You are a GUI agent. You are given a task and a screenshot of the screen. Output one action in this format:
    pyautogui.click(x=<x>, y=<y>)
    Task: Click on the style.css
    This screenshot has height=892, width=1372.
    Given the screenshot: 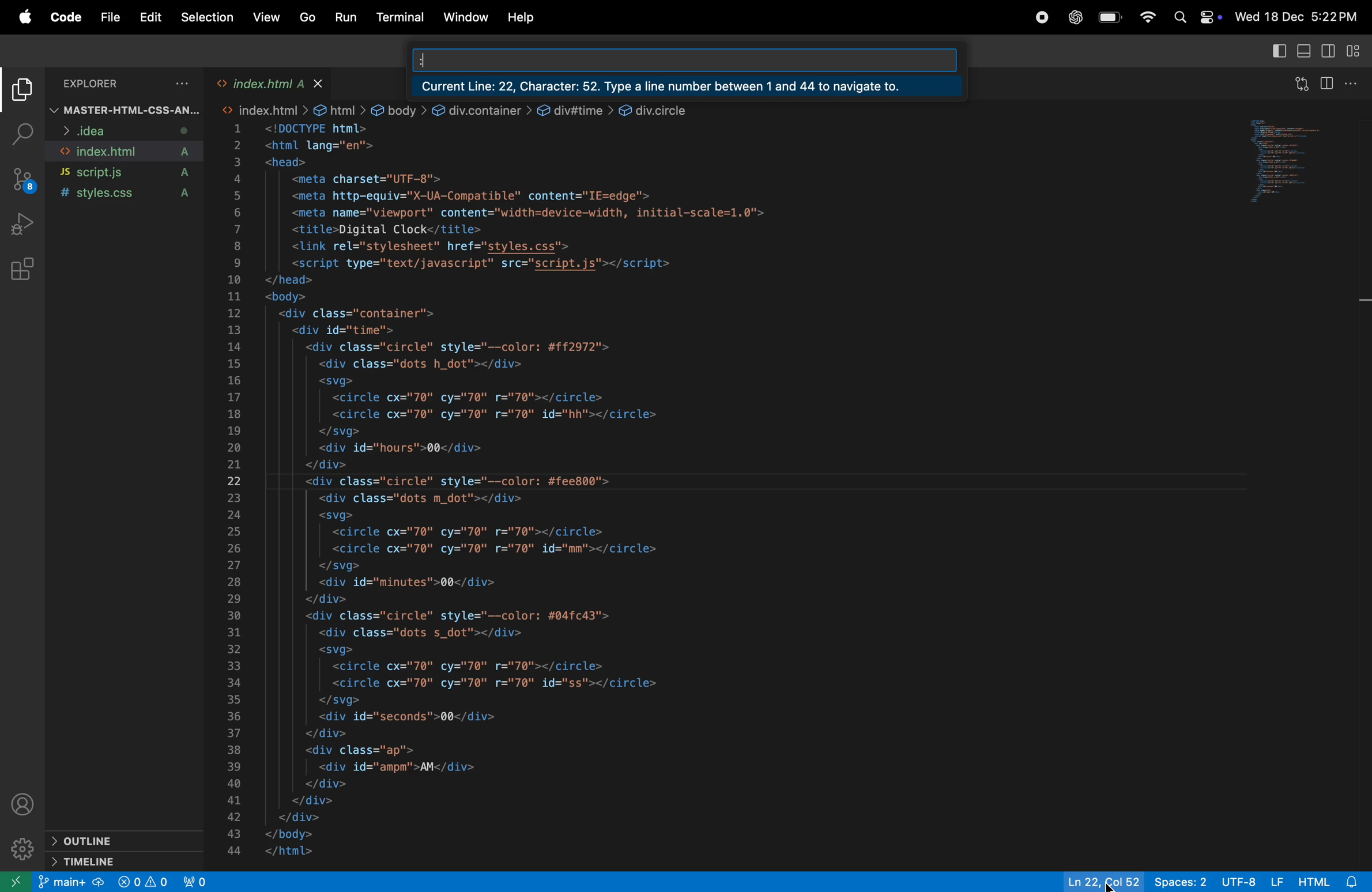 What is the action you would take?
    pyautogui.click(x=129, y=195)
    